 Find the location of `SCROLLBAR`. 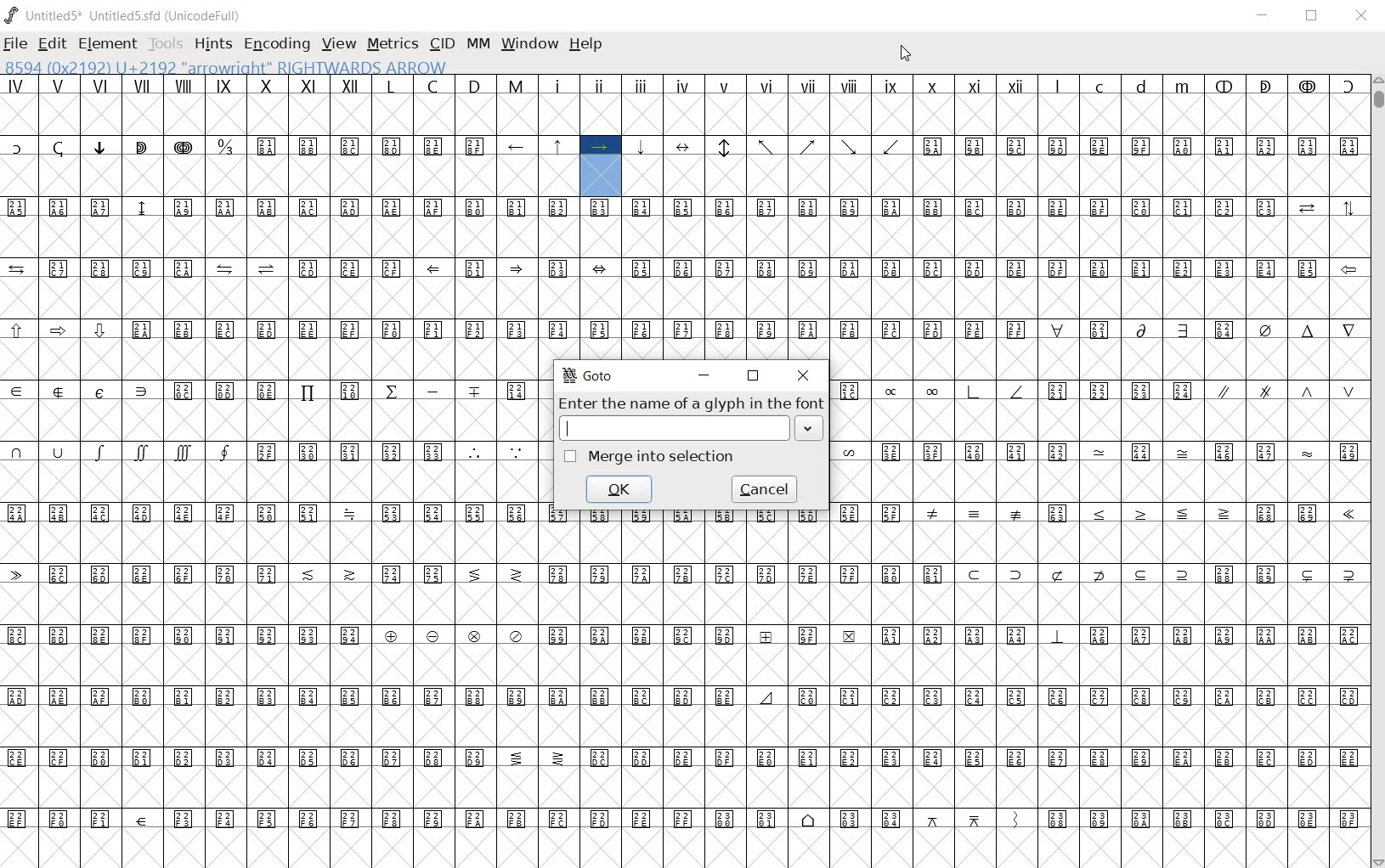

SCROLLBAR is located at coordinates (1377, 471).